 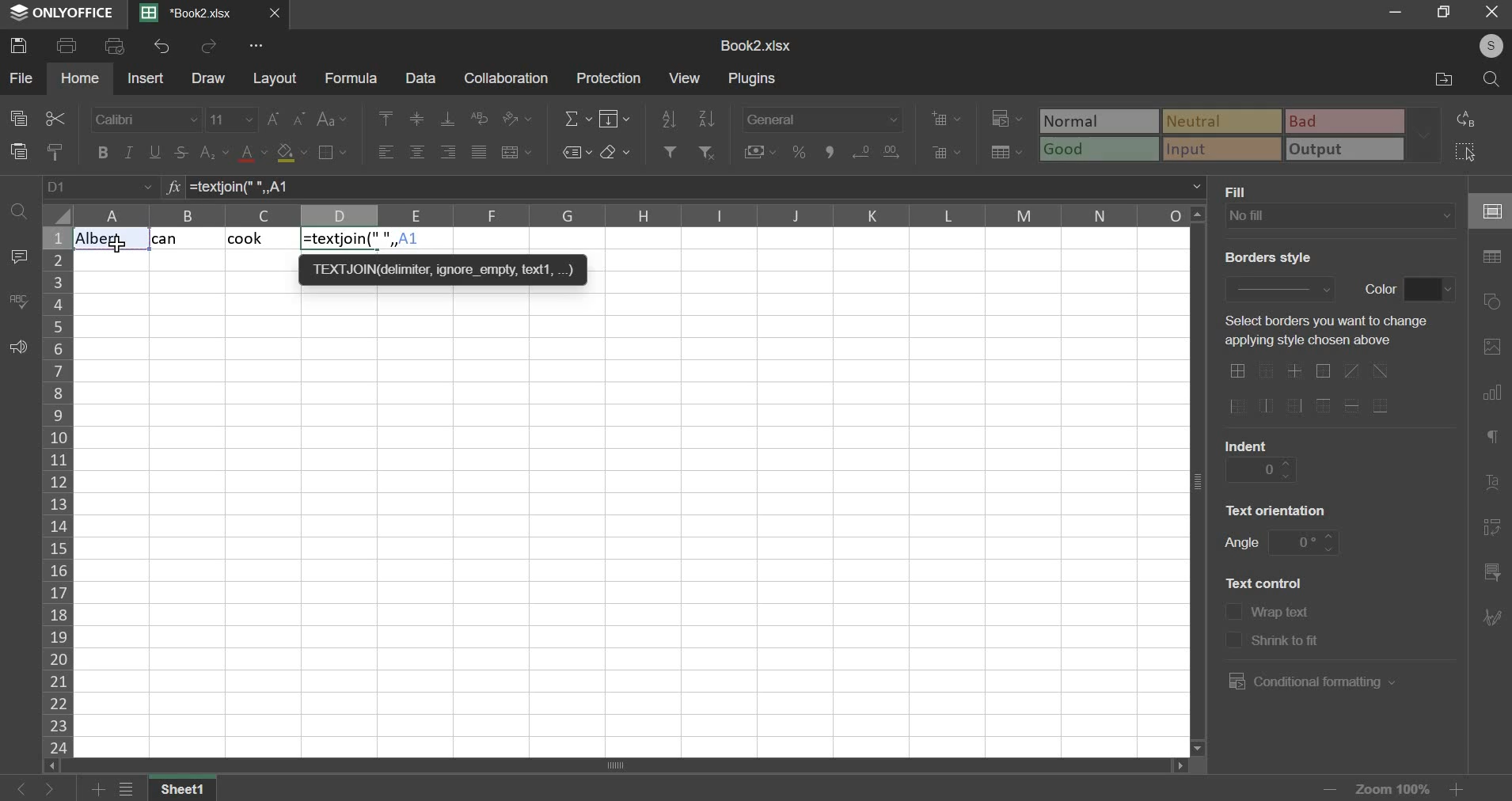 I want to click on resize, so click(x=1444, y=13).